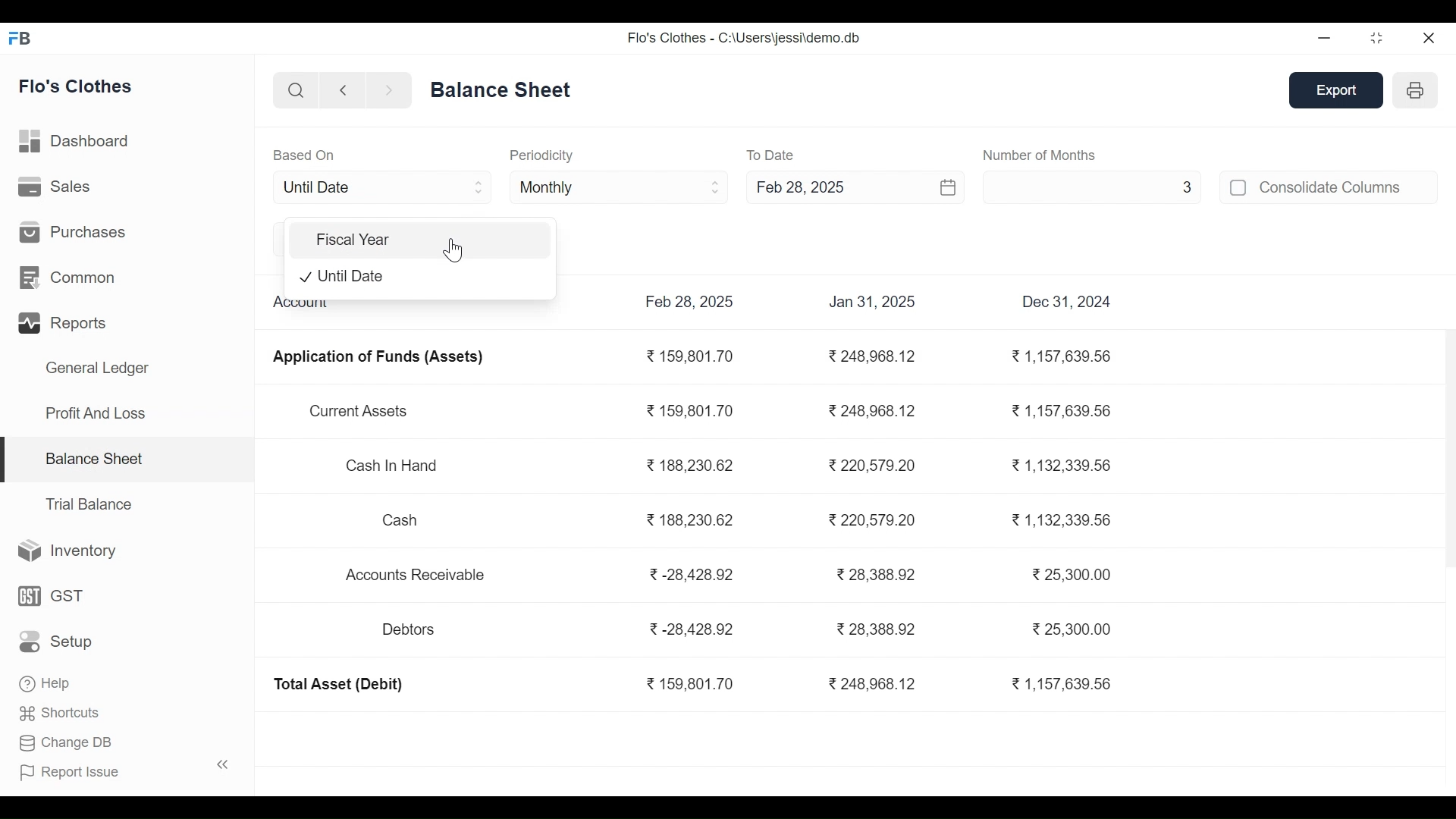  Describe the element at coordinates (77, 144) in the screenshot. I see `dashboard` at that location.